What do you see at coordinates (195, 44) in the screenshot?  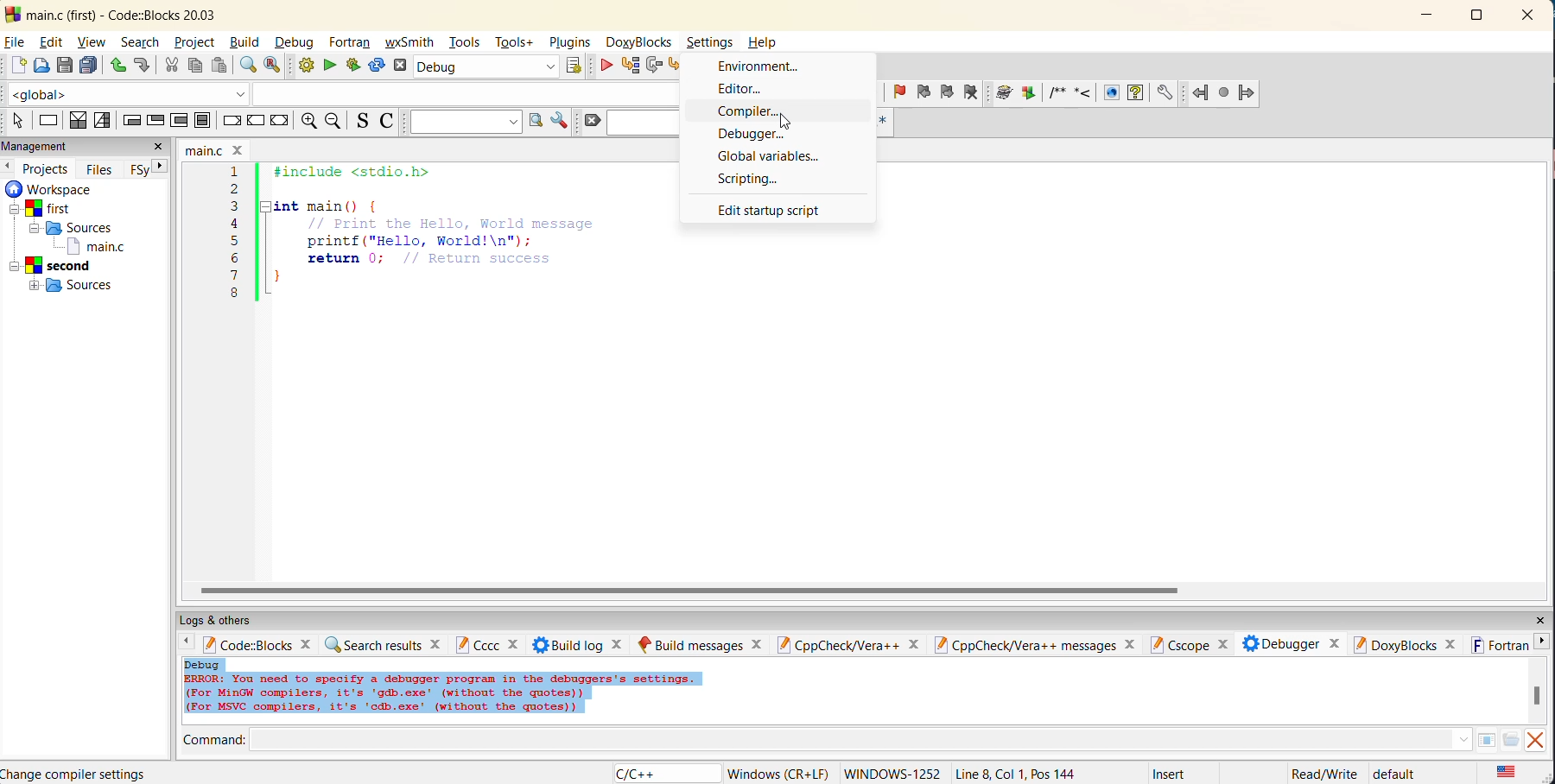 I see `project` at bounding box center [195, 44].